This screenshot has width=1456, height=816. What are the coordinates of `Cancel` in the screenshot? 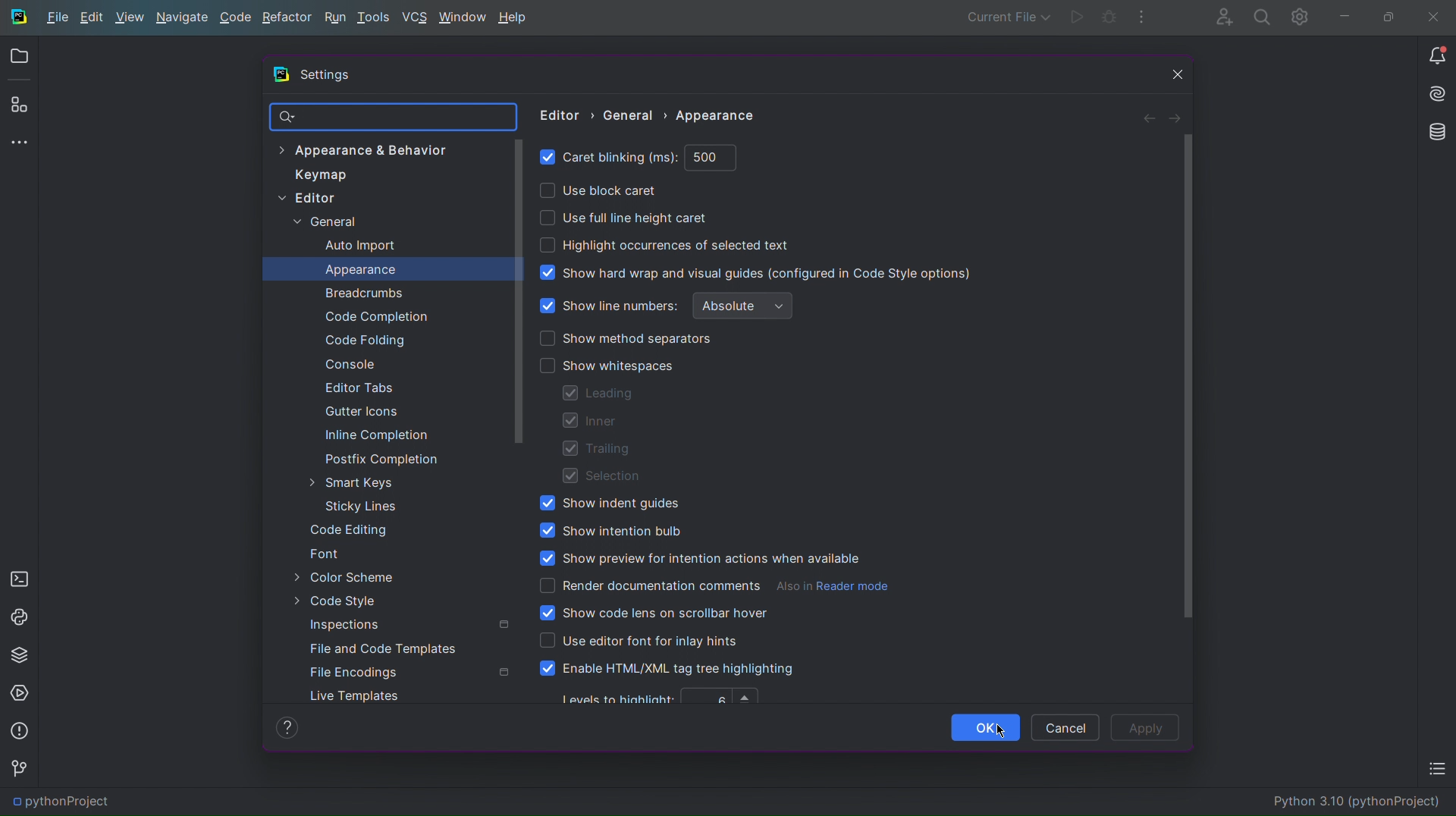 It's located at (1065, 726).